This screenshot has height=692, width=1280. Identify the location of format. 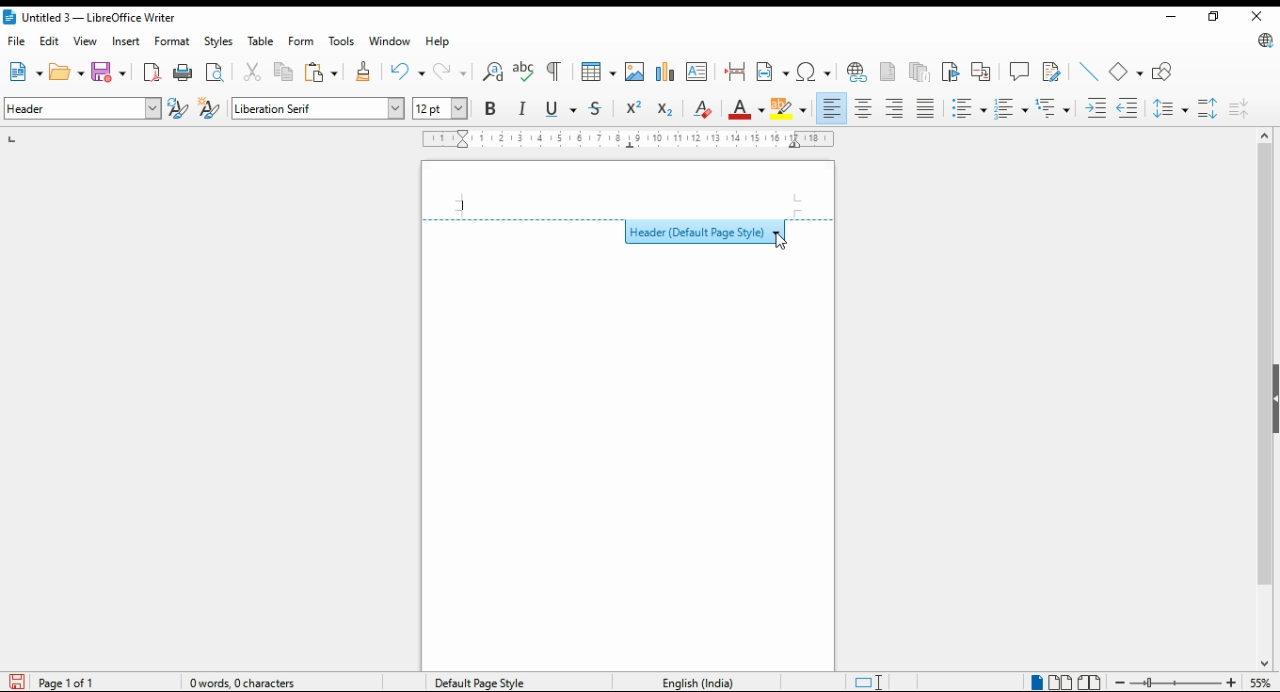
(174, 41).